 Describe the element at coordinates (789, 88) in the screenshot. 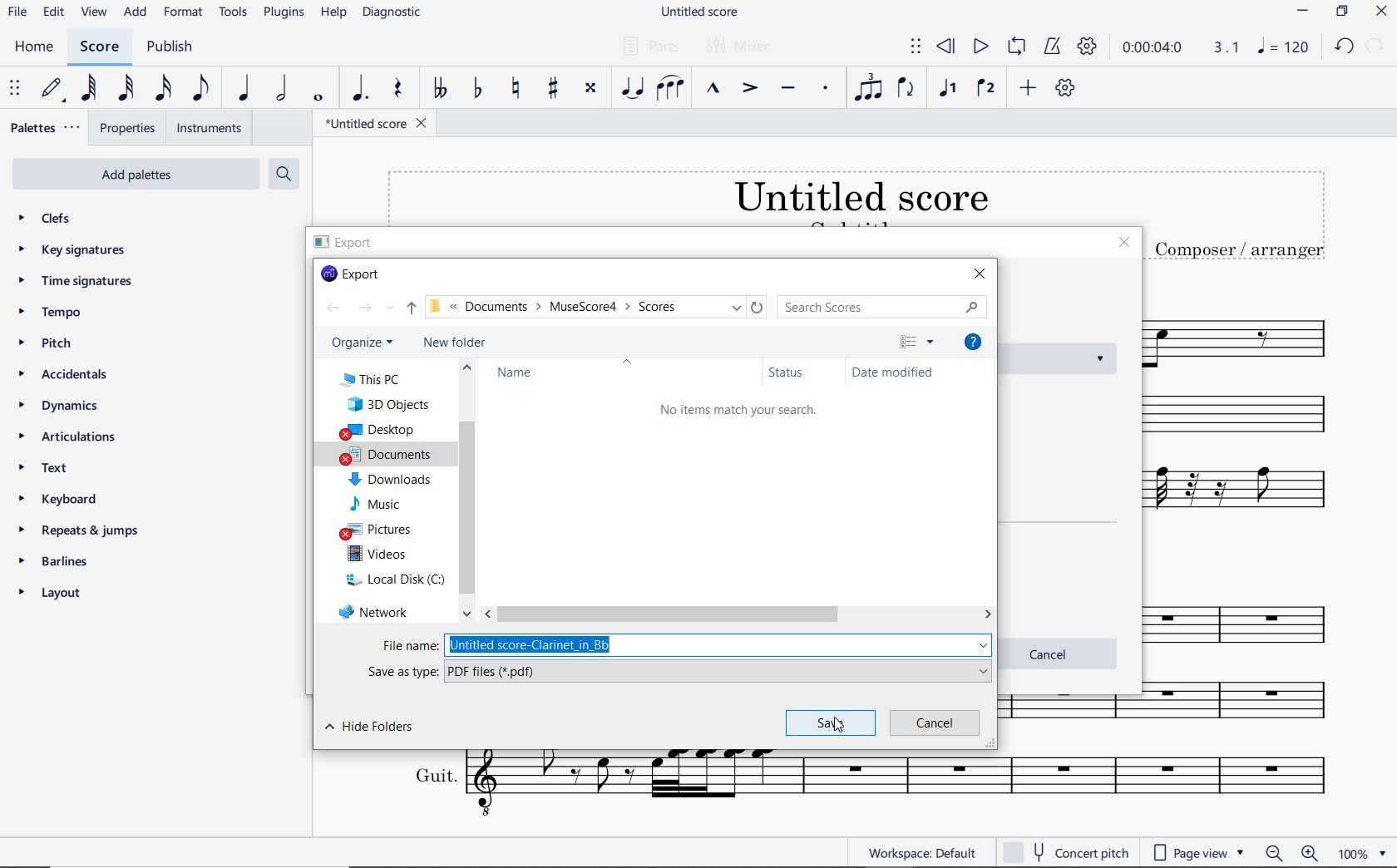

I see `TENUTO` at that location.